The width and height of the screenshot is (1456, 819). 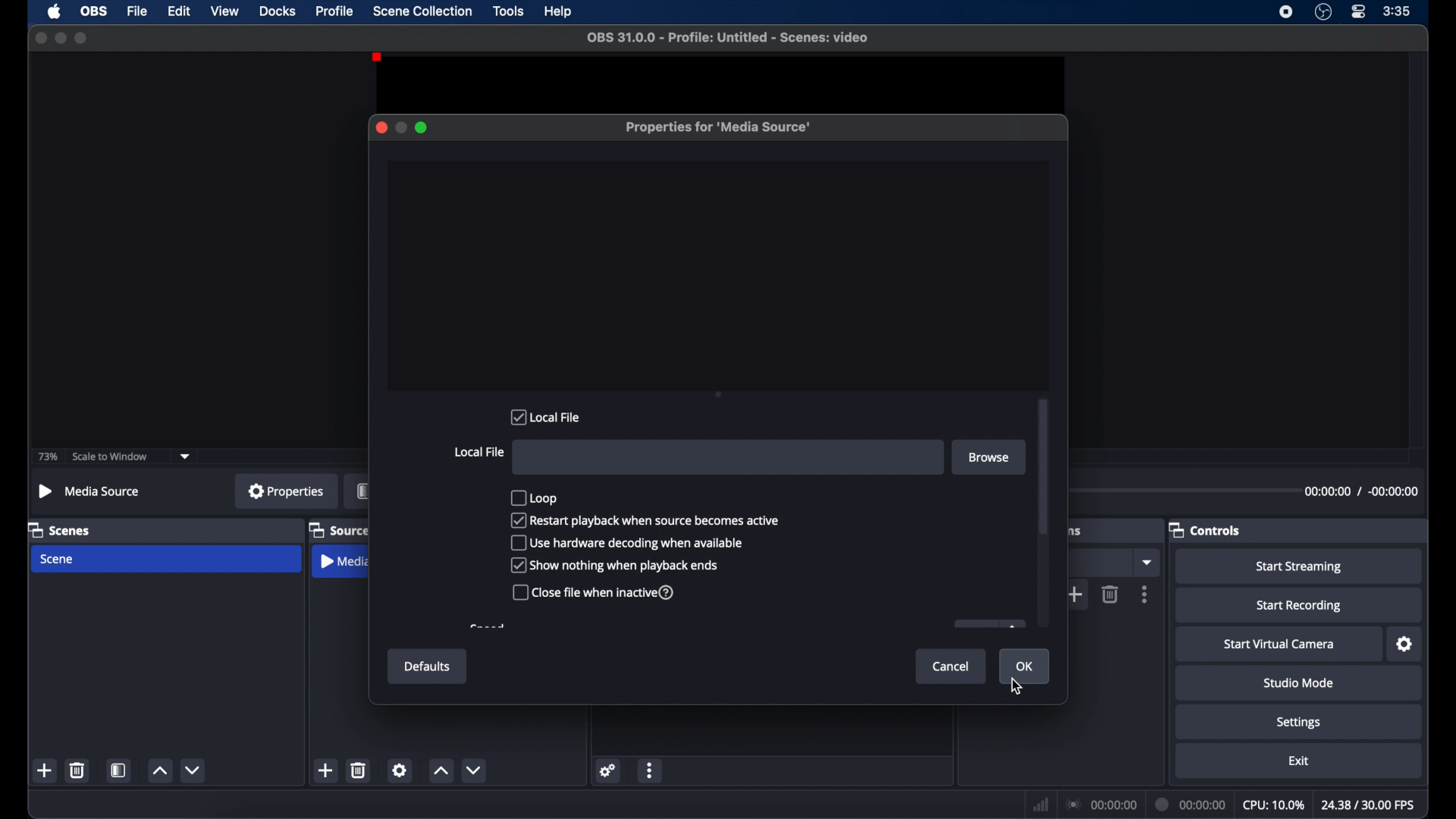 I want to click on defaults, so click(x=429, y=667).